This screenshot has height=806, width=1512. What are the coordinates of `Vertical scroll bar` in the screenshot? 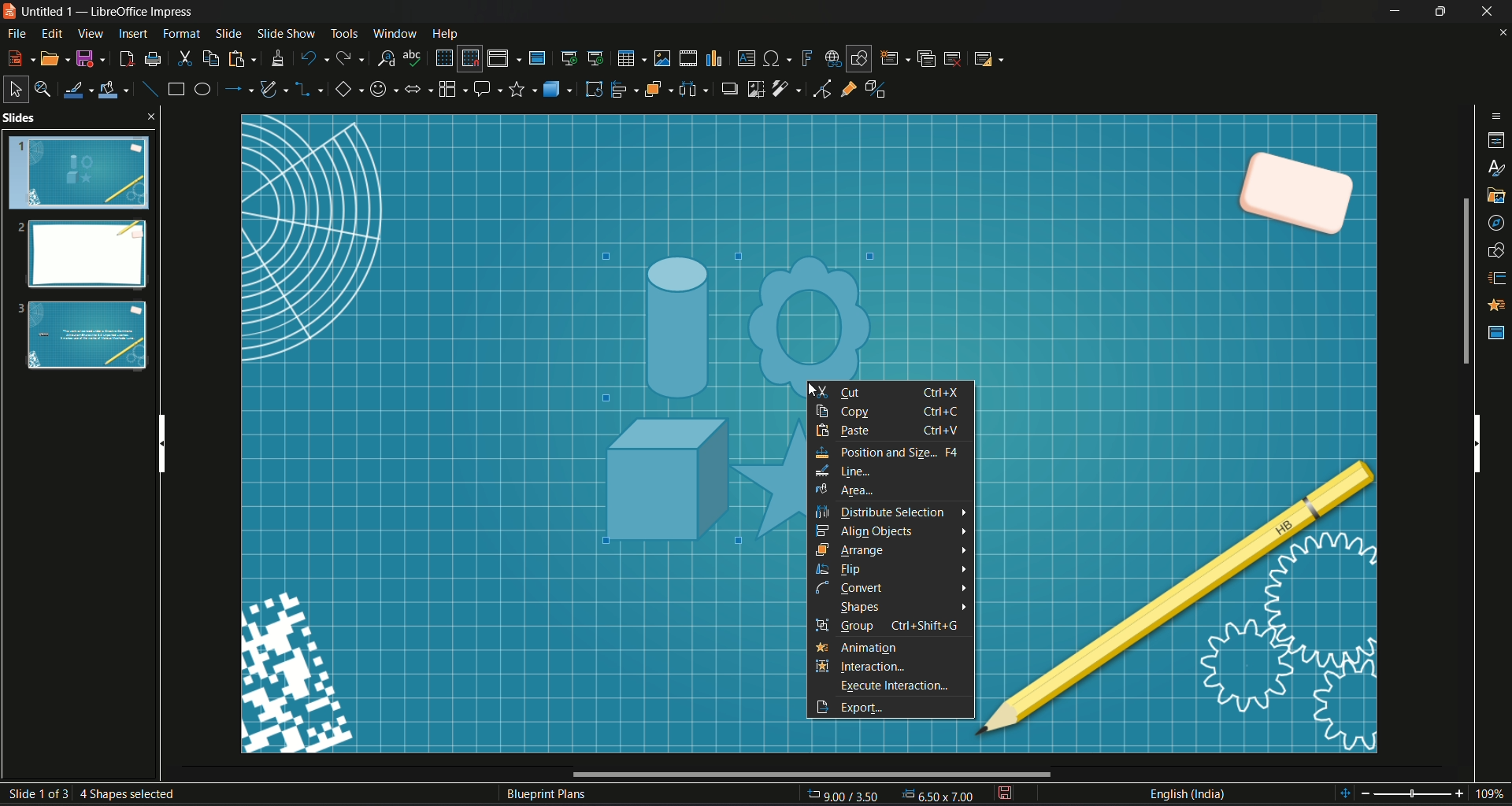 It's located at (1477, 441).